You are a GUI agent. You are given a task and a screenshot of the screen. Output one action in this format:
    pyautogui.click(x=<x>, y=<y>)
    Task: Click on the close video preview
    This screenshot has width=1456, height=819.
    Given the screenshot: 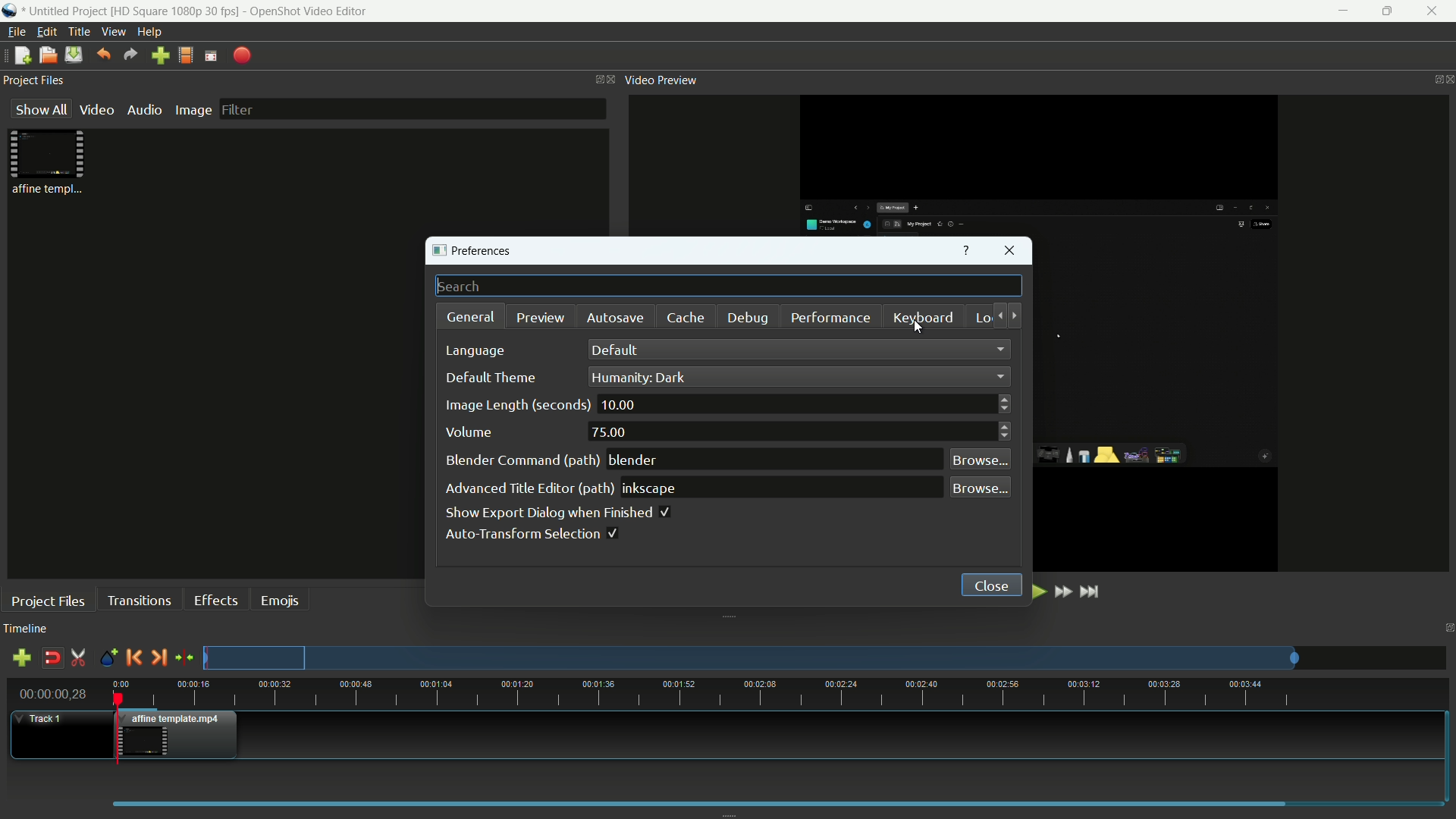 What is the action you would take?
    pyautogui.click(x=1447, y=80)
    